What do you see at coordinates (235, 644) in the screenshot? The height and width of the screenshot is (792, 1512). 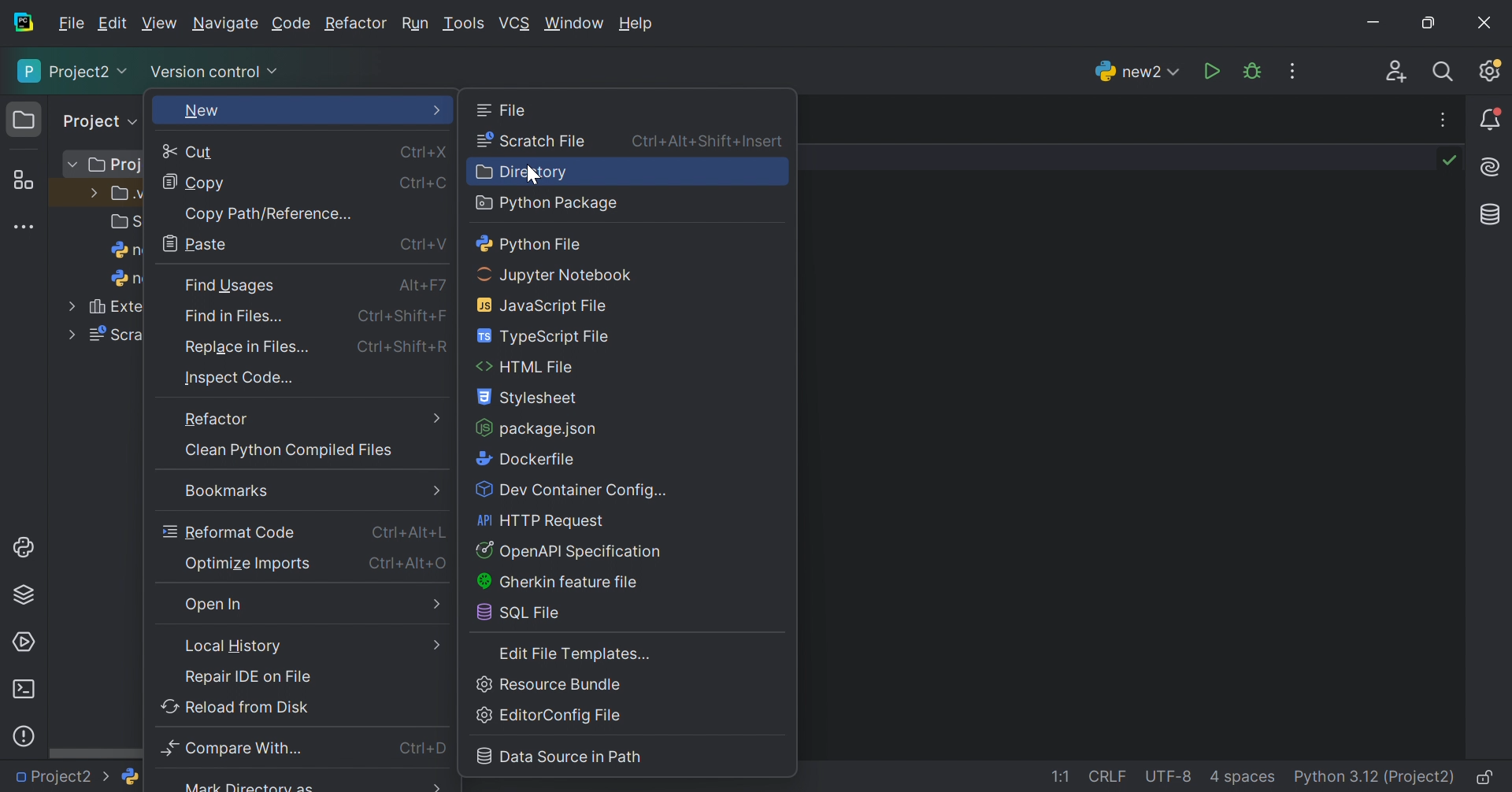 I see `Local history` at bounding box center [235, 644].